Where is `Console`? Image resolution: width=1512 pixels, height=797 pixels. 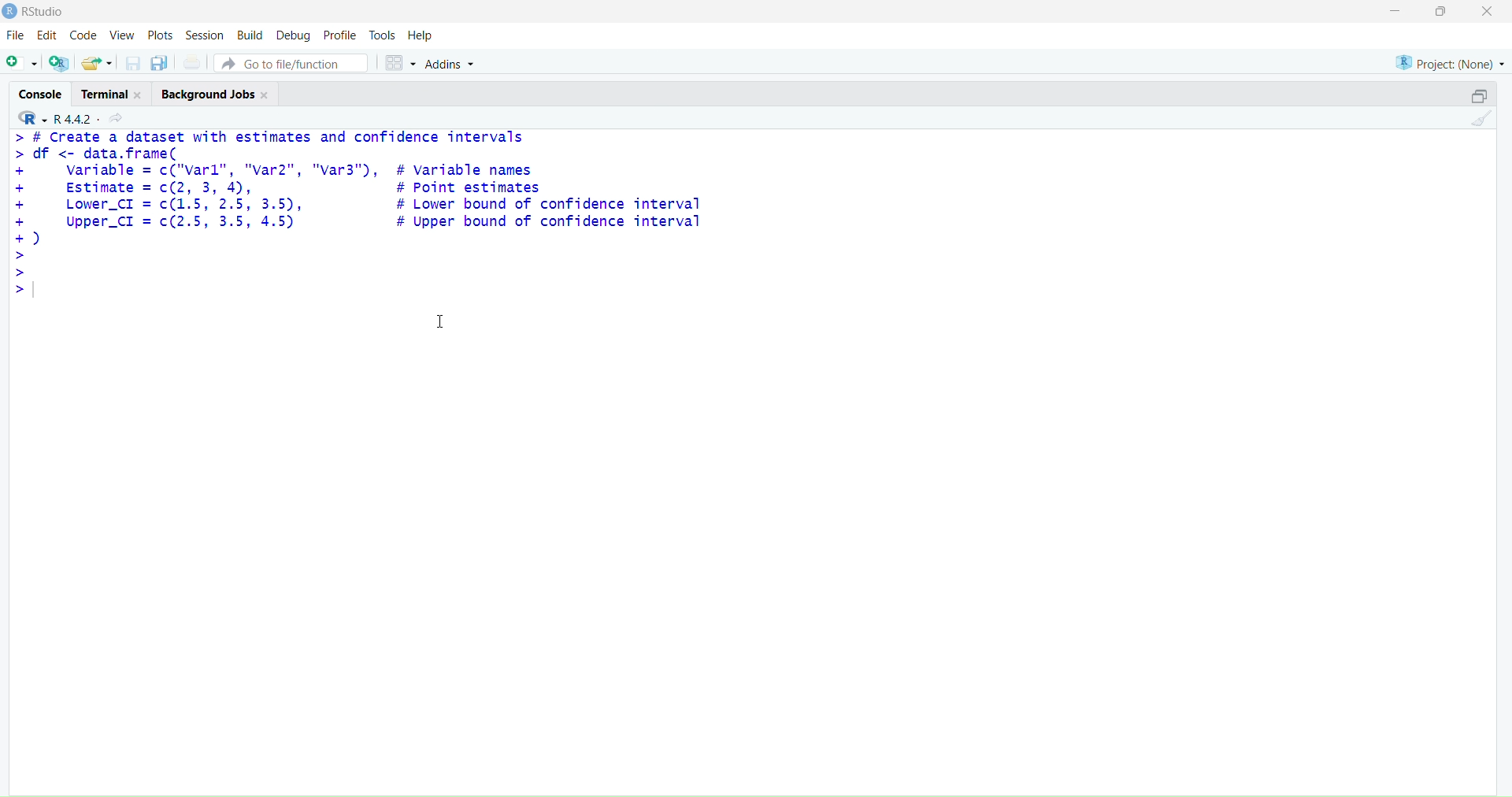 Console is located at coordinates (41, 93).